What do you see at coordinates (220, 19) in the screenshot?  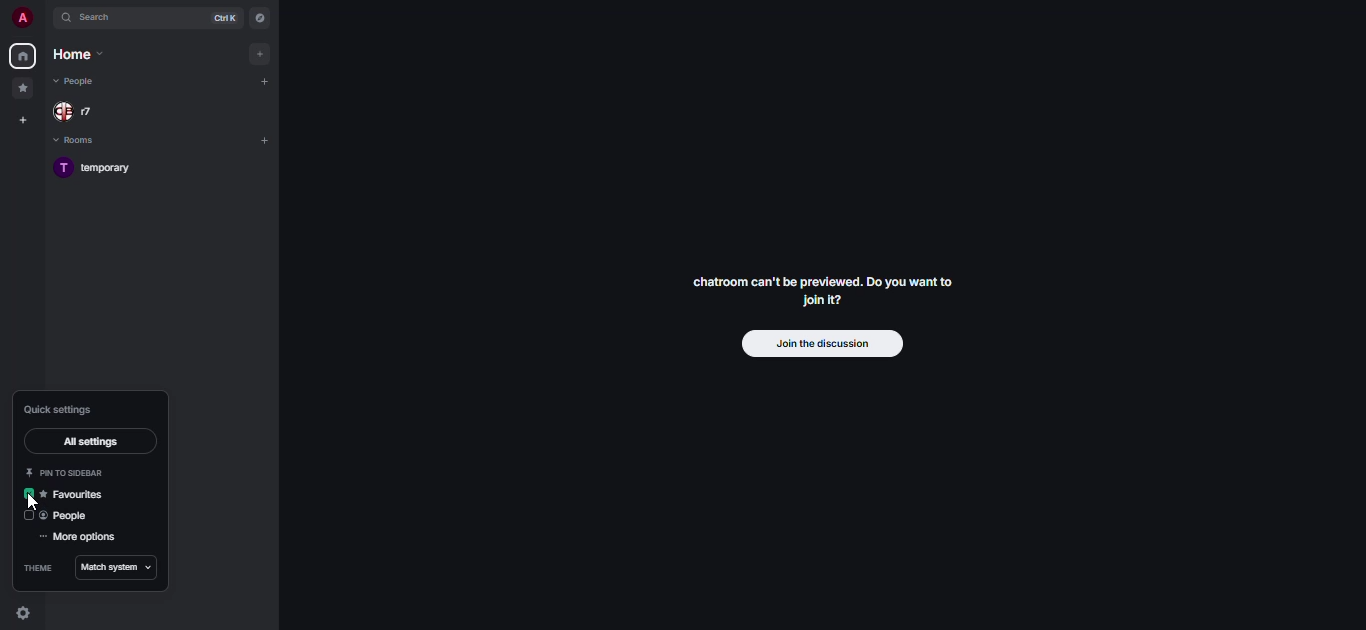 I see `ctrl K` at bounding box center [220, 19].